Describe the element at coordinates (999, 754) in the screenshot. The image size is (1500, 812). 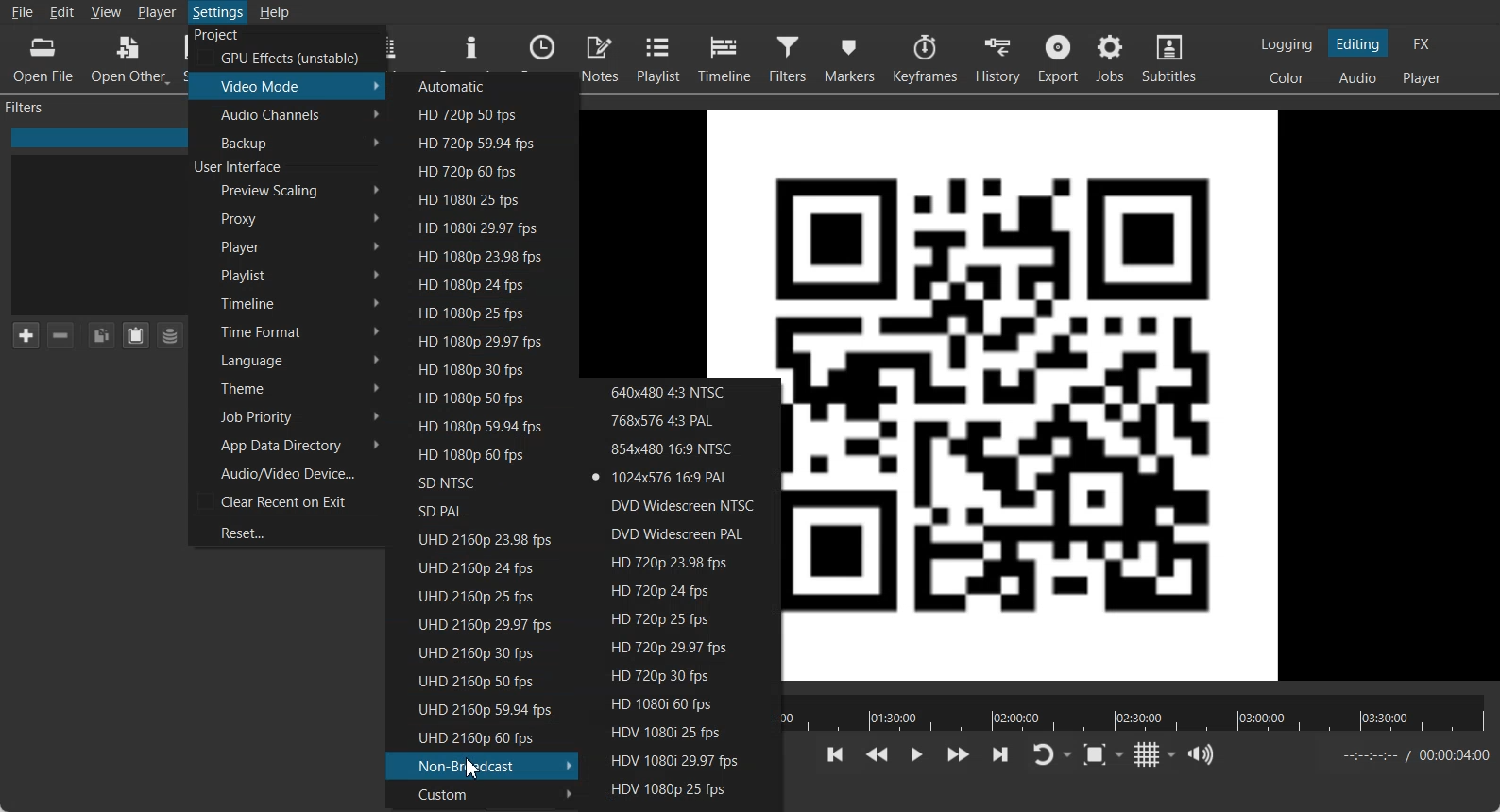
I see `Skip to the next point` at that location.